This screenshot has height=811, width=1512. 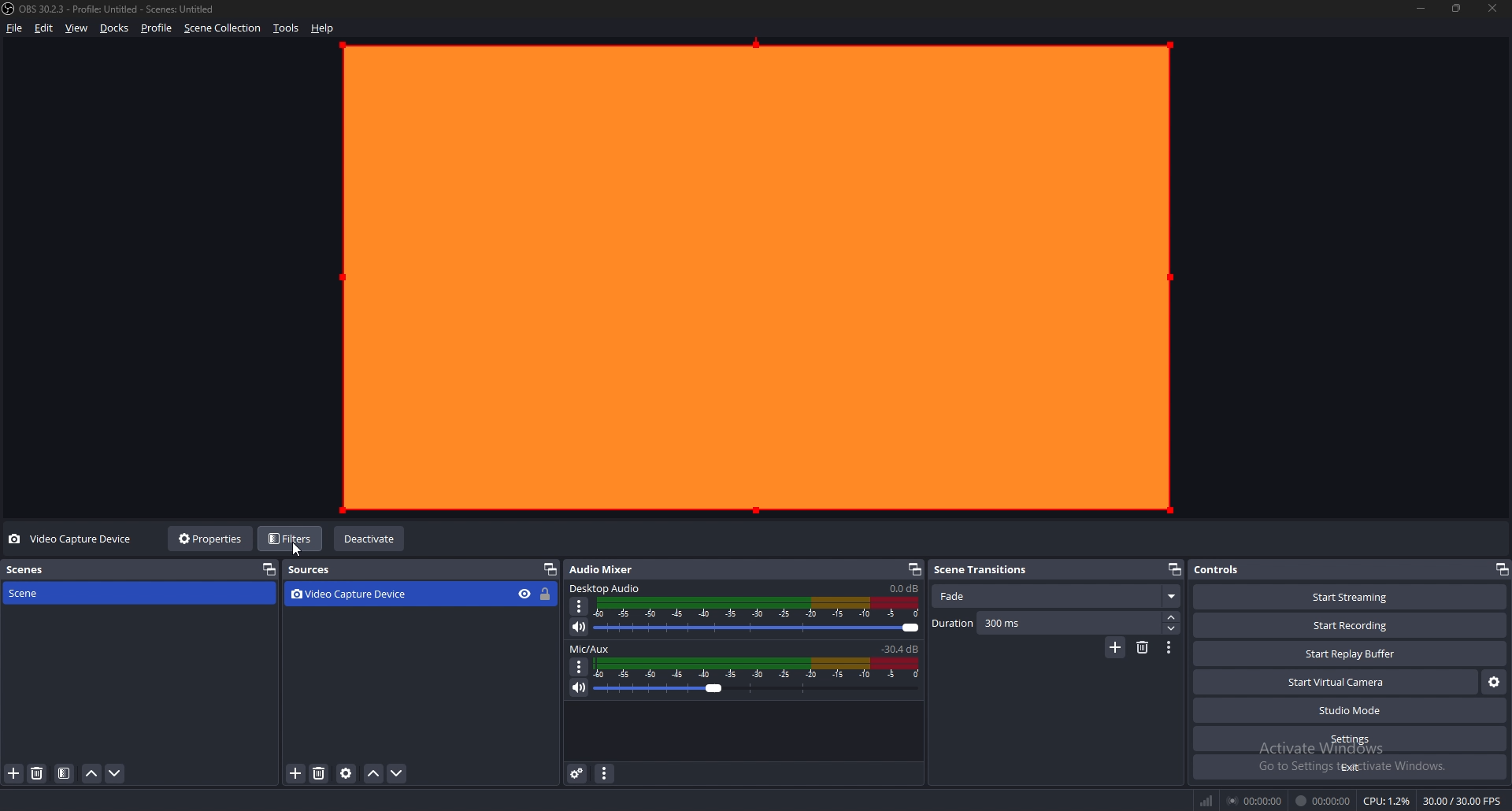 What do you see at coordinates (578, 773) in the screenshot?
I see `audio mixer settings` at bounding box center [578, 773].